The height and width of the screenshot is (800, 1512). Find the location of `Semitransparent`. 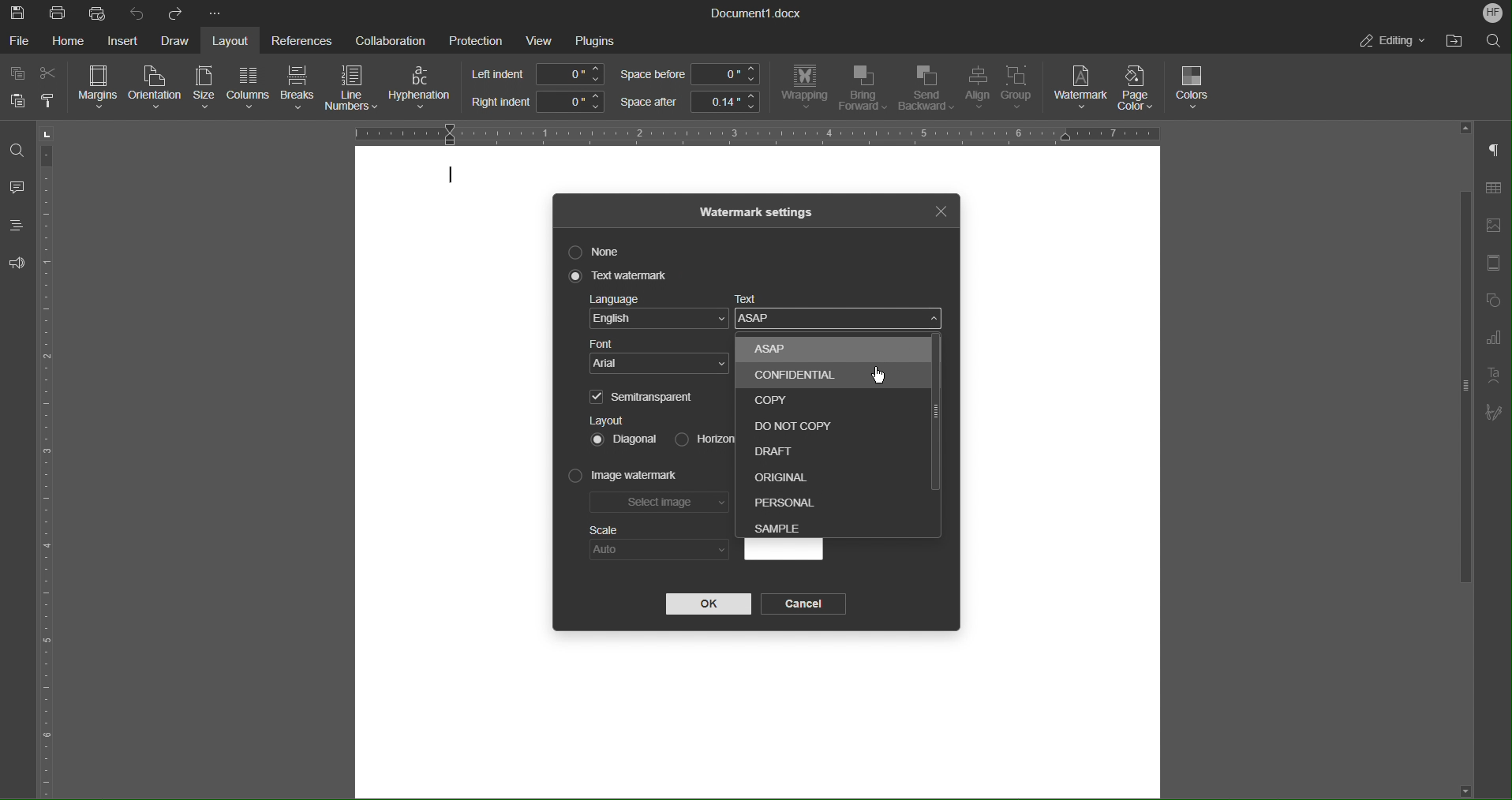

Semitransparent is located at coordinates (645, 396).